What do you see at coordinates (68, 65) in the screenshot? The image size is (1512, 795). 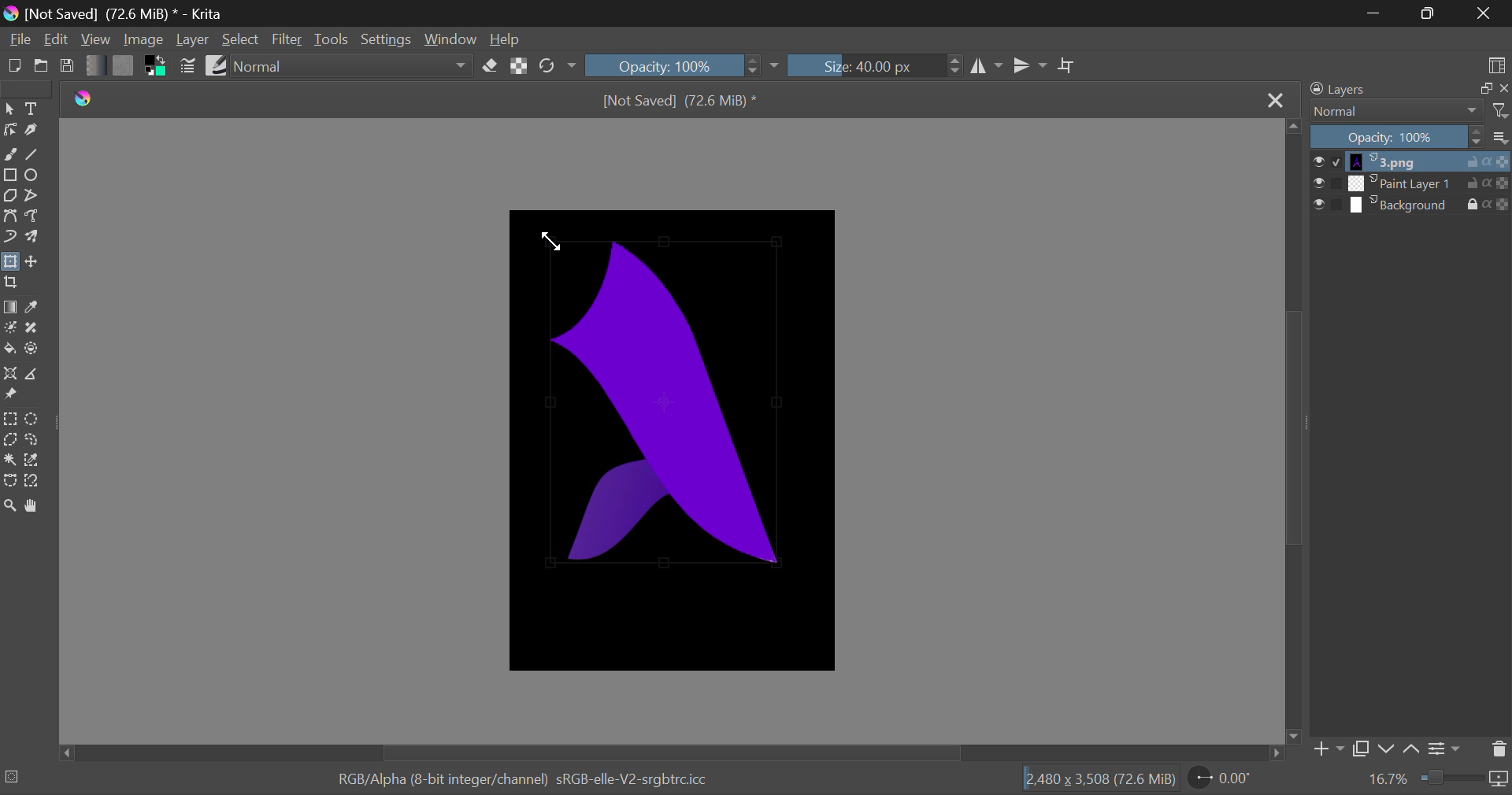 I see `Save` at bounding box center [68, 65].